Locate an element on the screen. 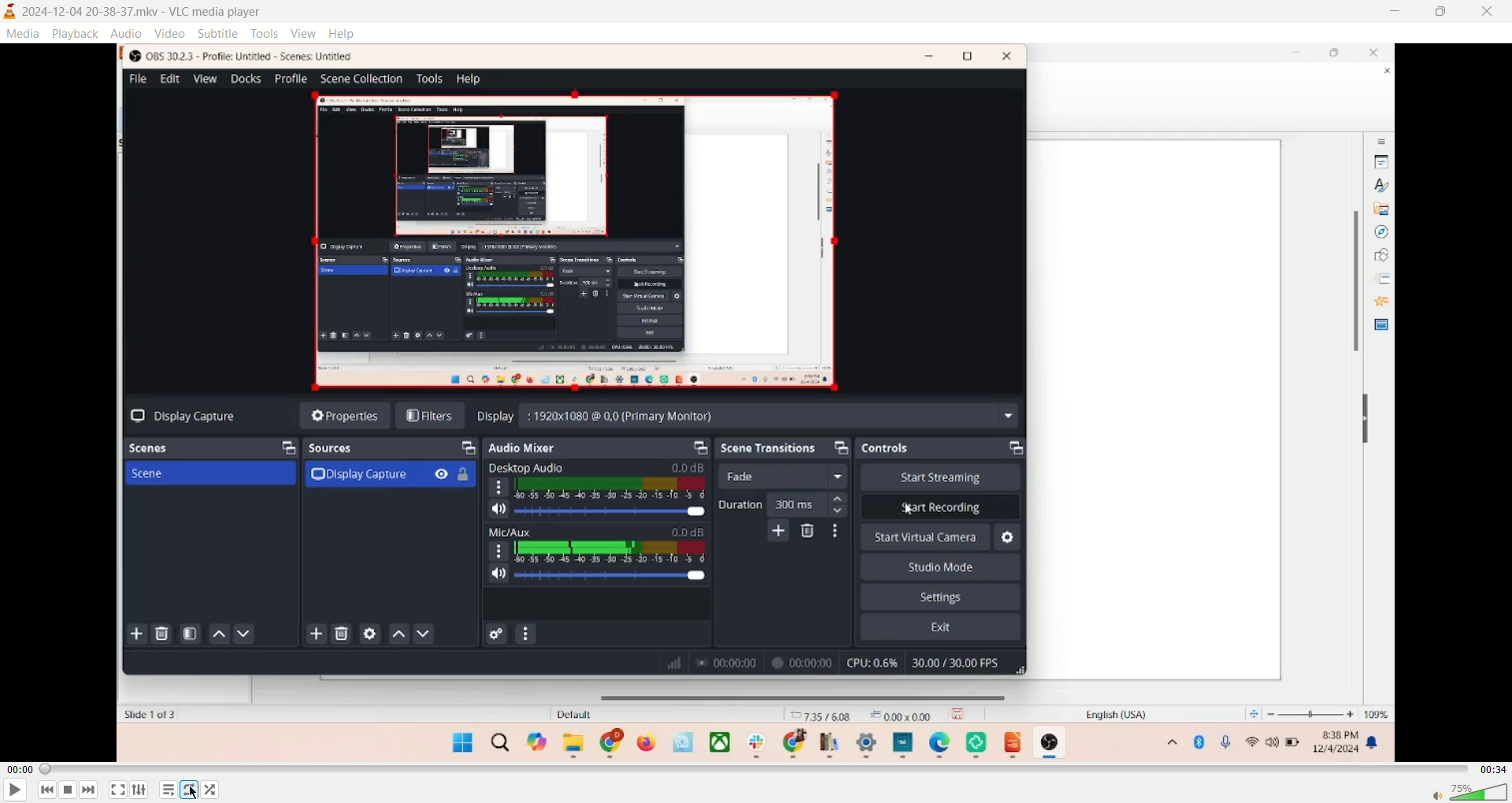 The image size is (1512, 803). logo is located at coordinates (9, 12).